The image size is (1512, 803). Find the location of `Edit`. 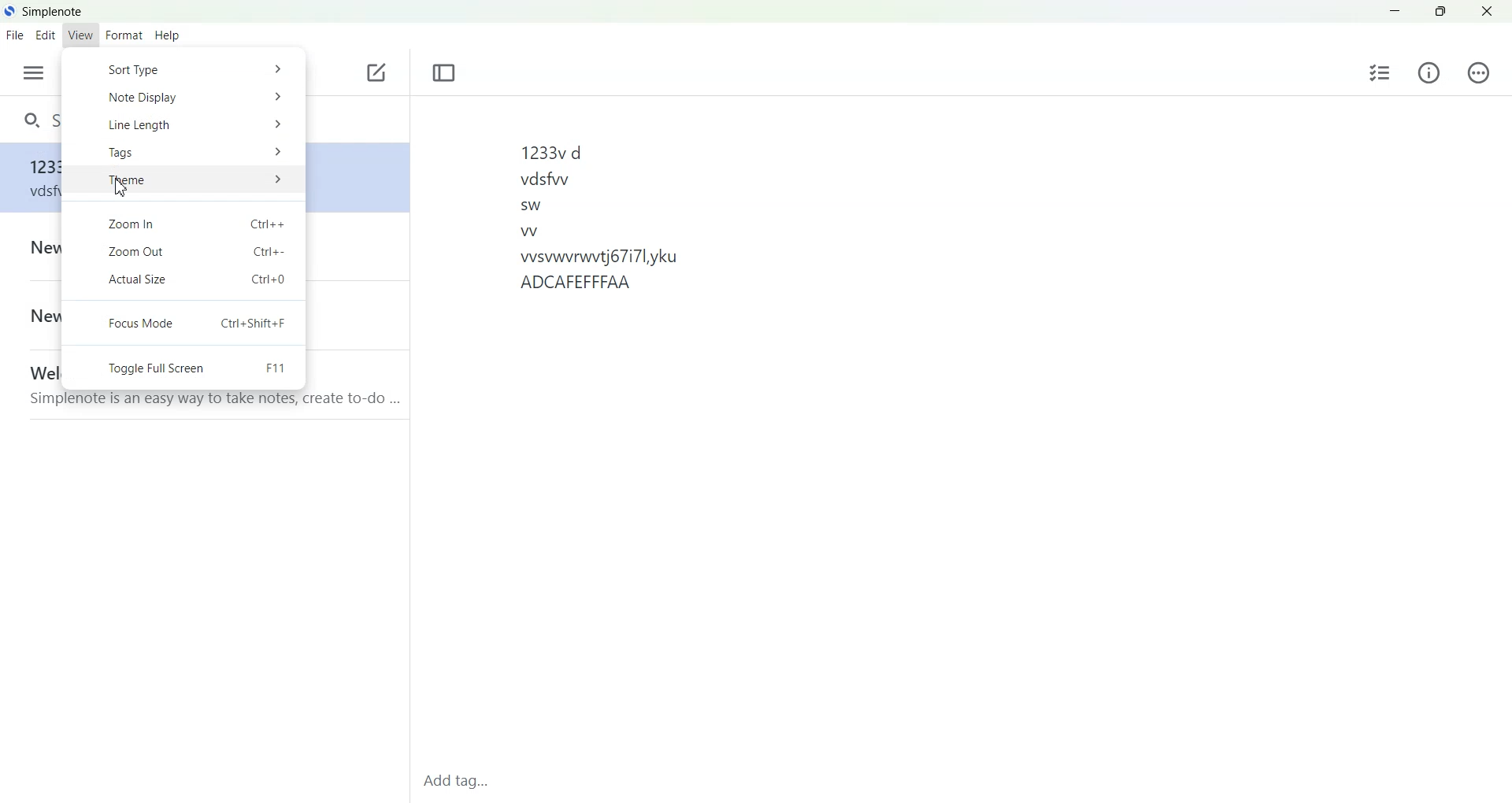

Edit is located at coordinates (45, 35).